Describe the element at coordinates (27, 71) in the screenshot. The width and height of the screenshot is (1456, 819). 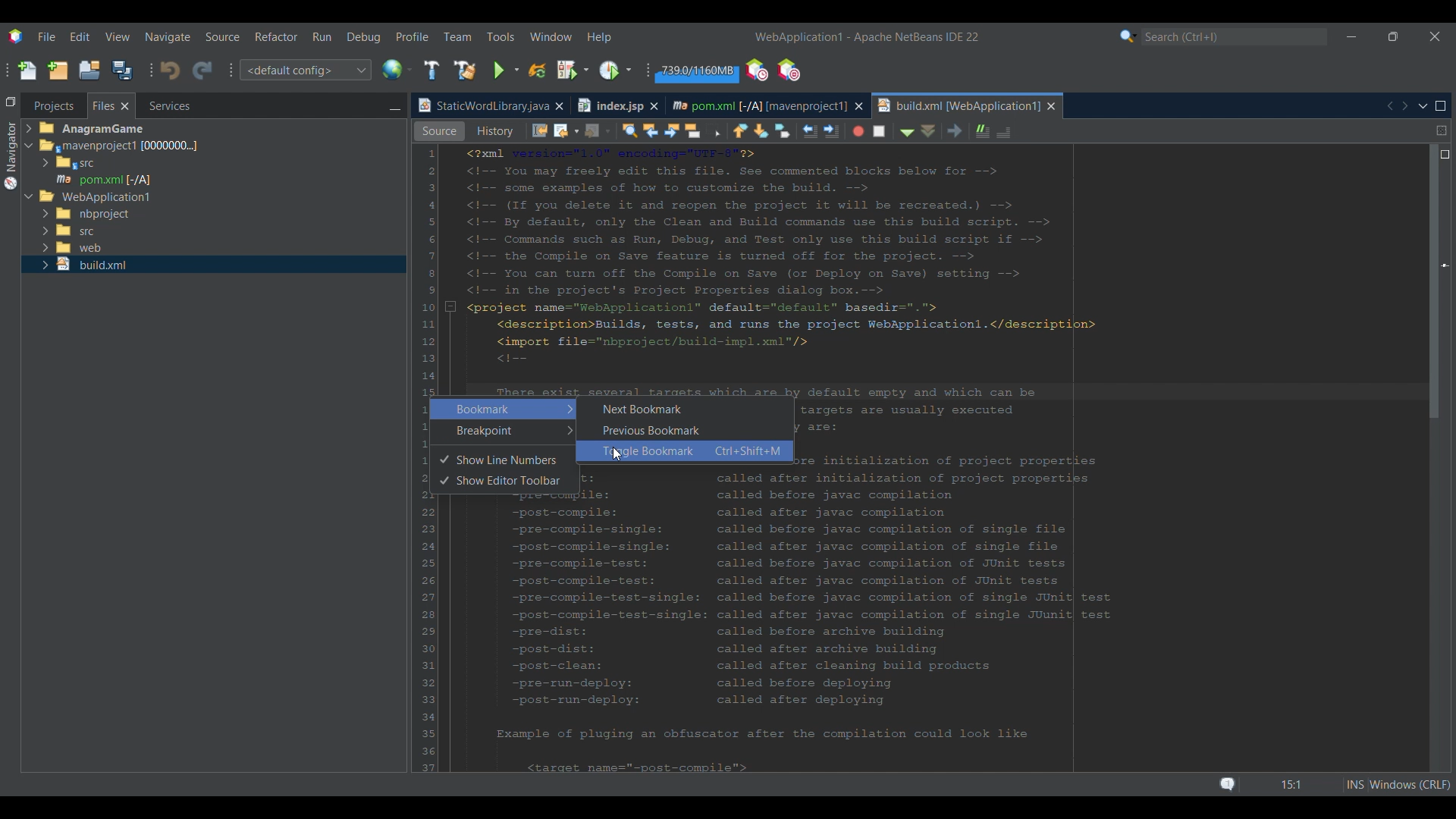
I see `New file` at that location.